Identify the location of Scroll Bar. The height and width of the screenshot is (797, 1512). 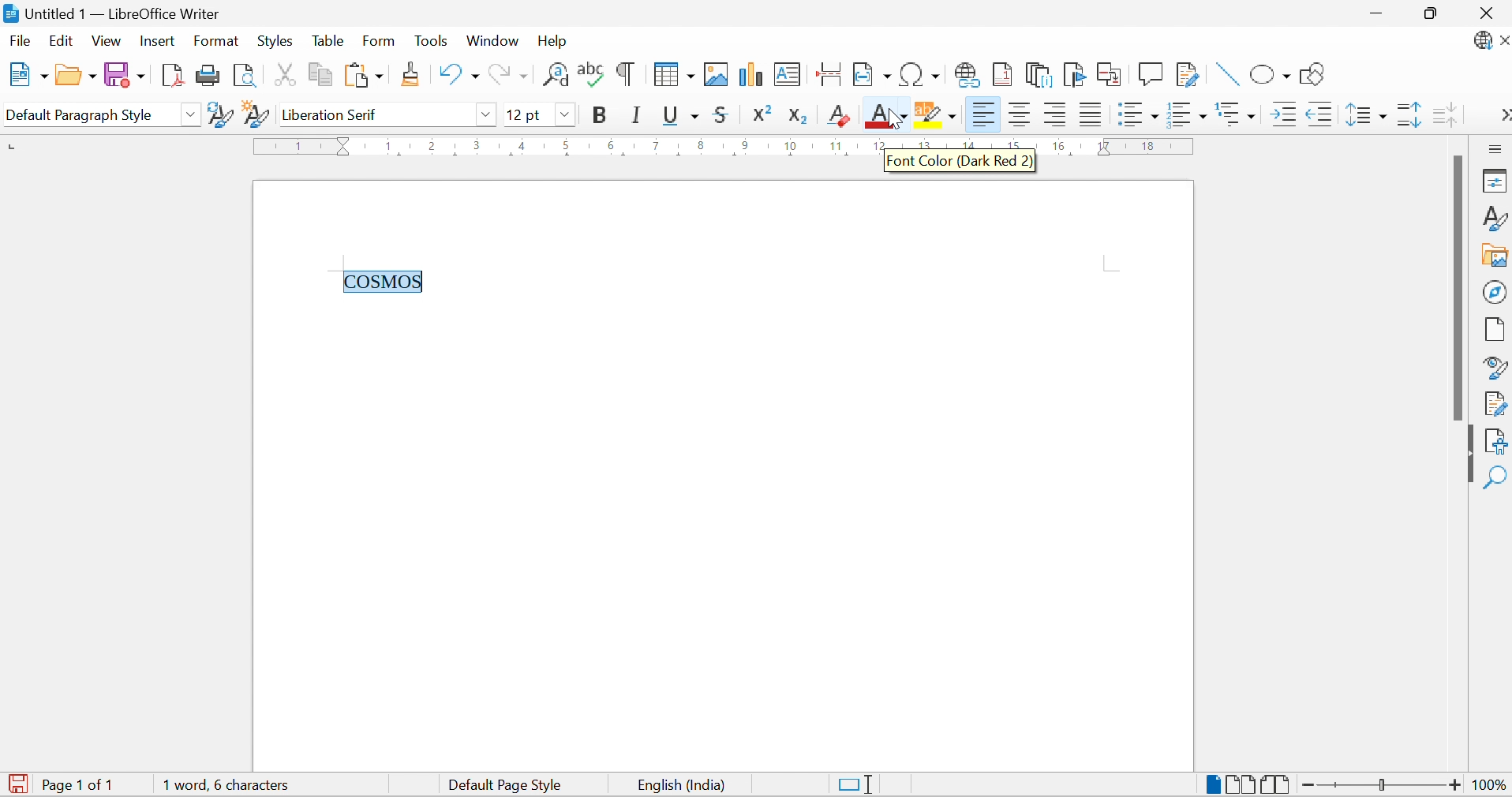
(1458, 287).